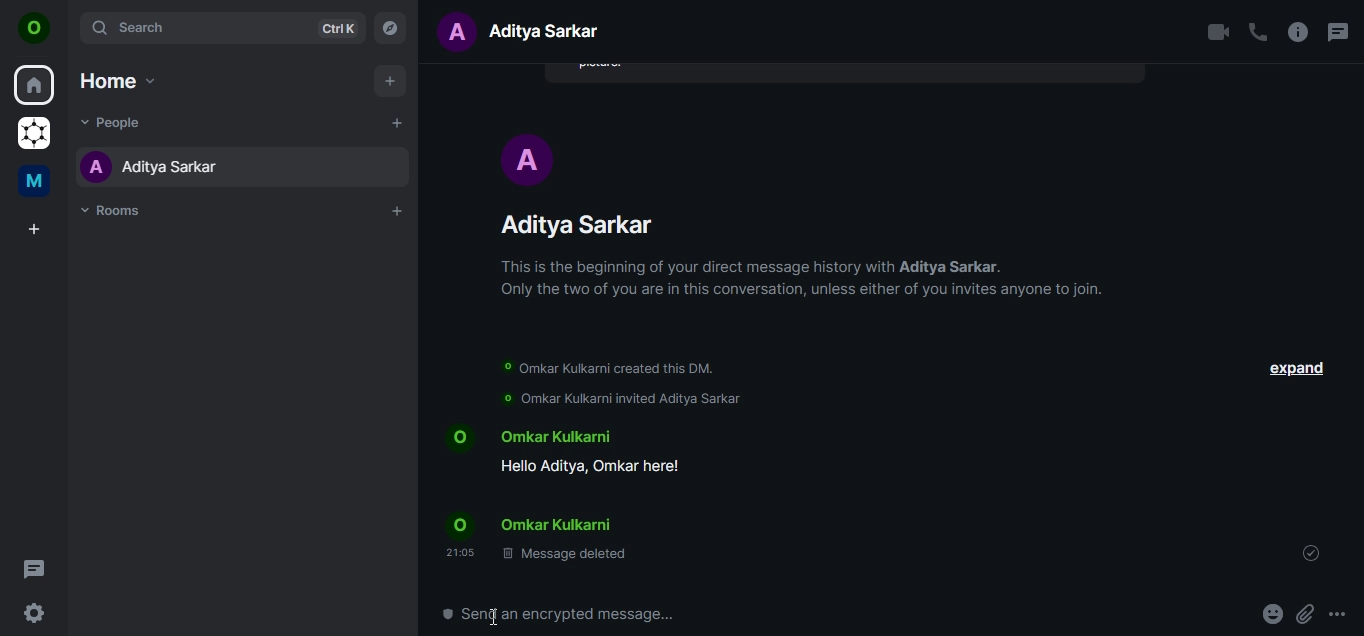 The width and height of the screenshot is (1364, 636). What do you see at coordinates (114, 124) in the screenshot?
I see `people` at bounding box center [114, 124].